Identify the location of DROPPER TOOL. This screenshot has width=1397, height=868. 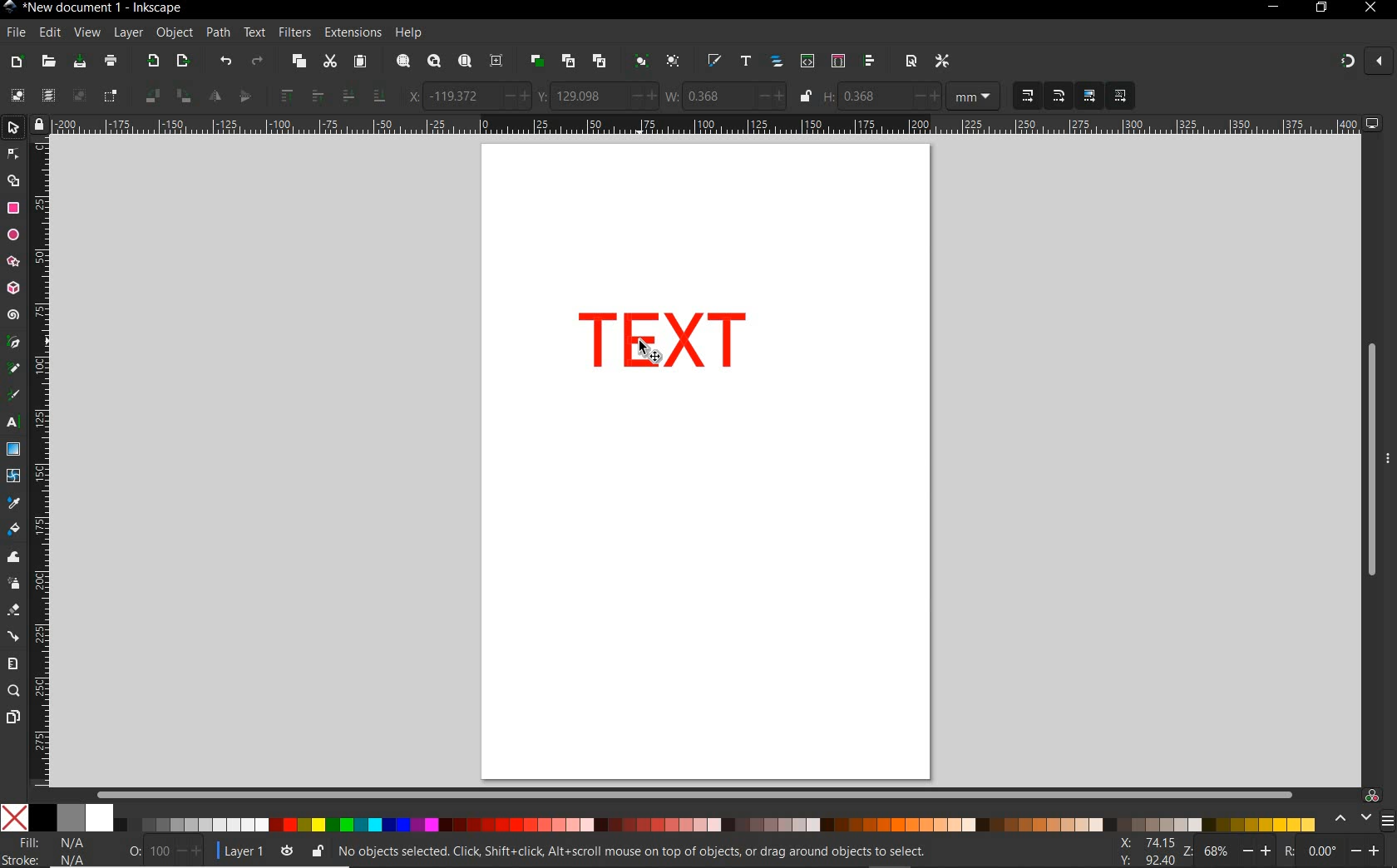
(13, 504).